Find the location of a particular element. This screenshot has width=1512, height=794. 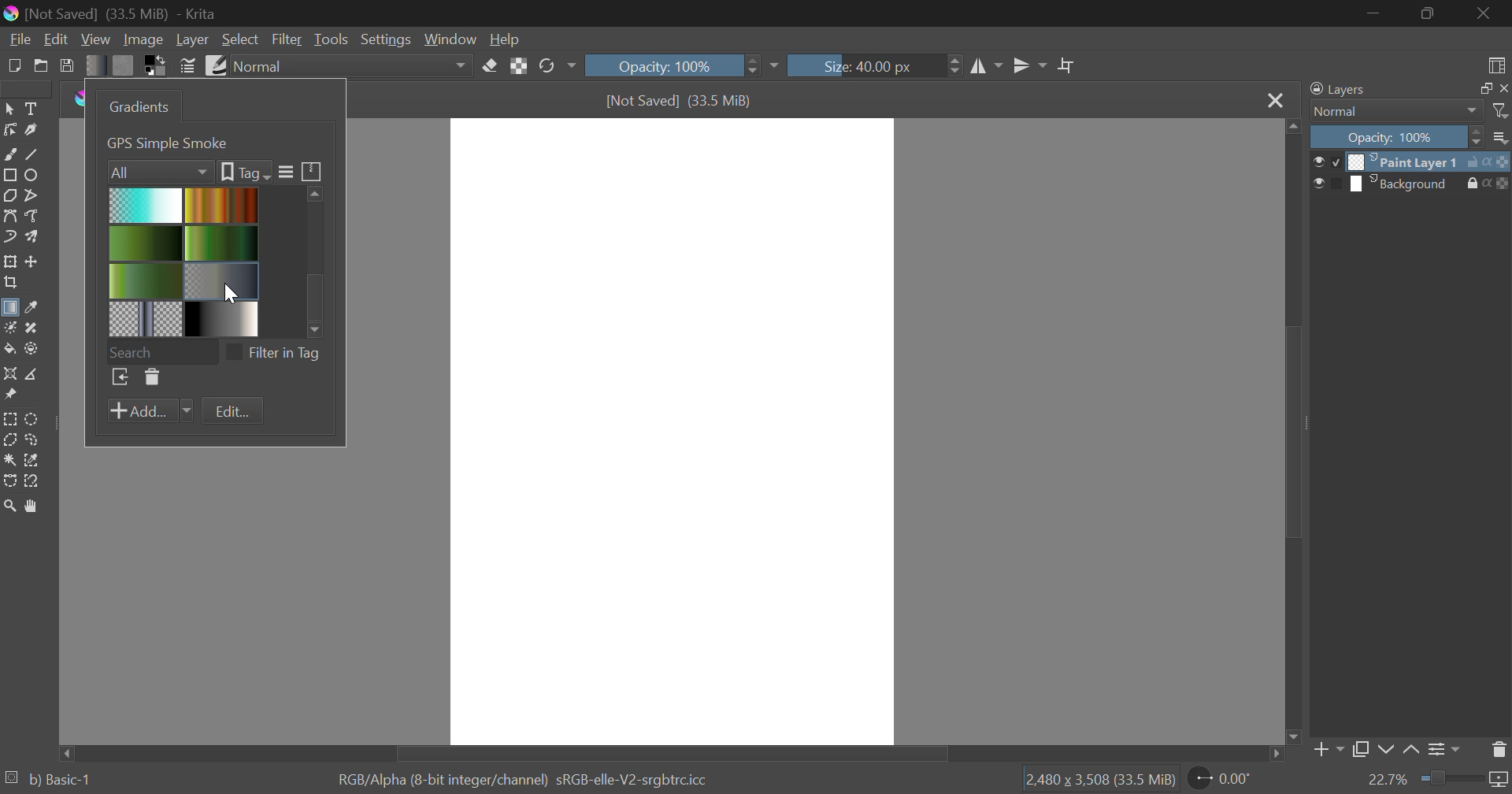

Polygon Selection is located at coordinates (9, 441).